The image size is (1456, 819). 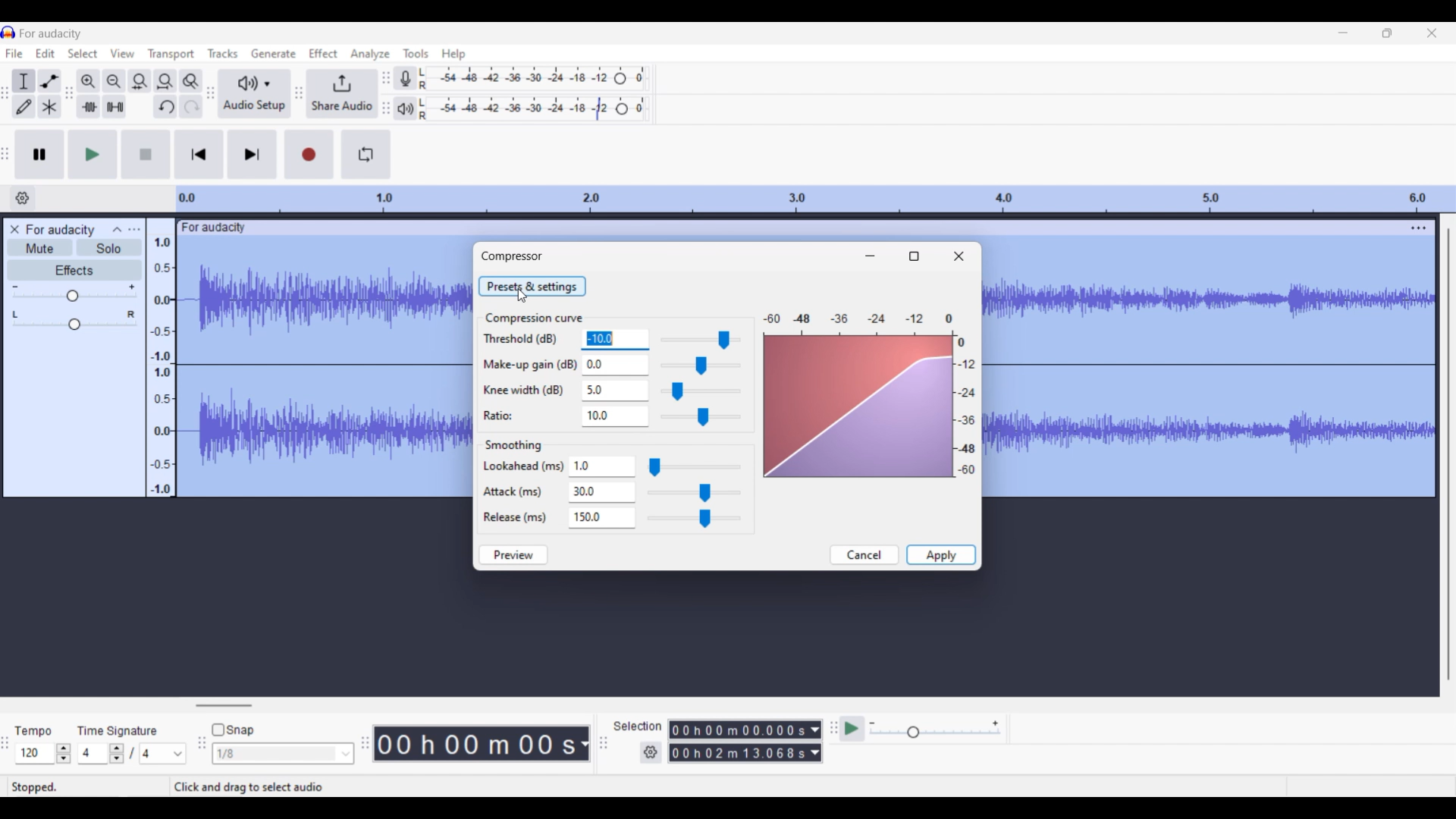 I want to click on View, so click(x=122, y=53).